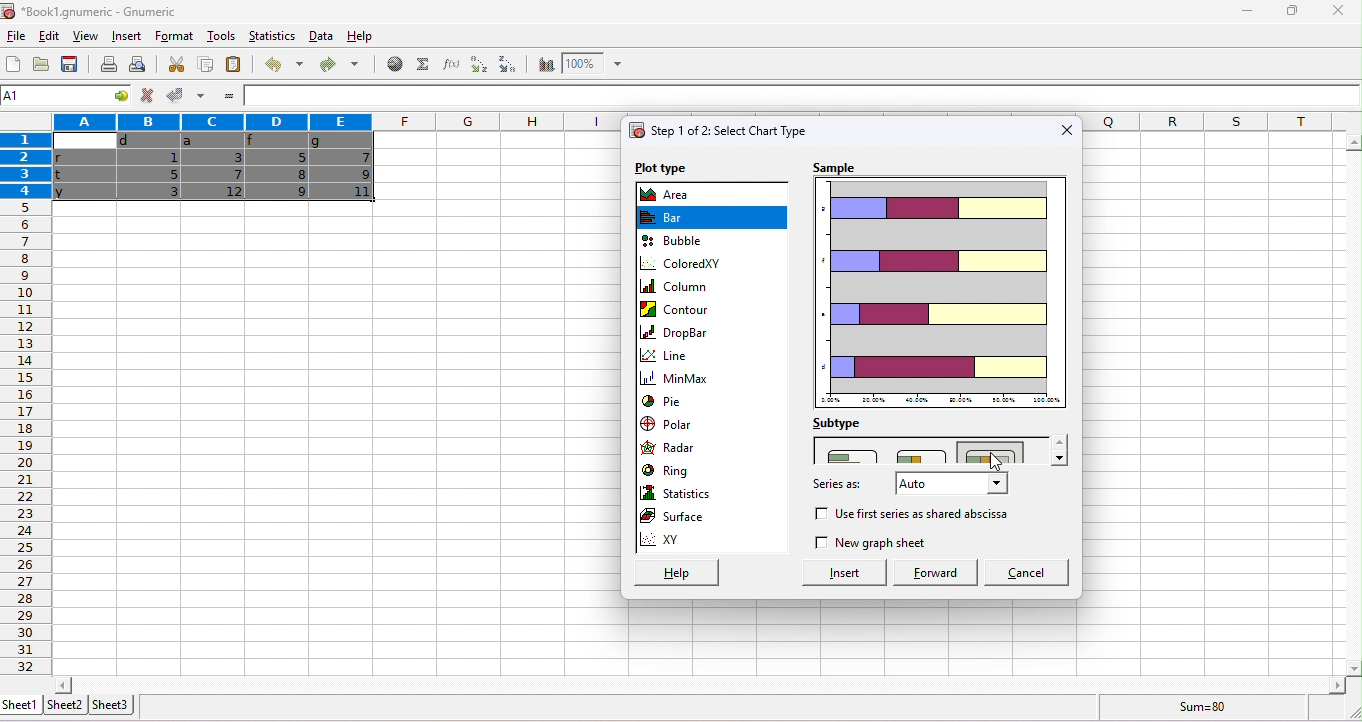  Describe the element at coordinates (361, 36) in the screenshot. I see `help` at that location.